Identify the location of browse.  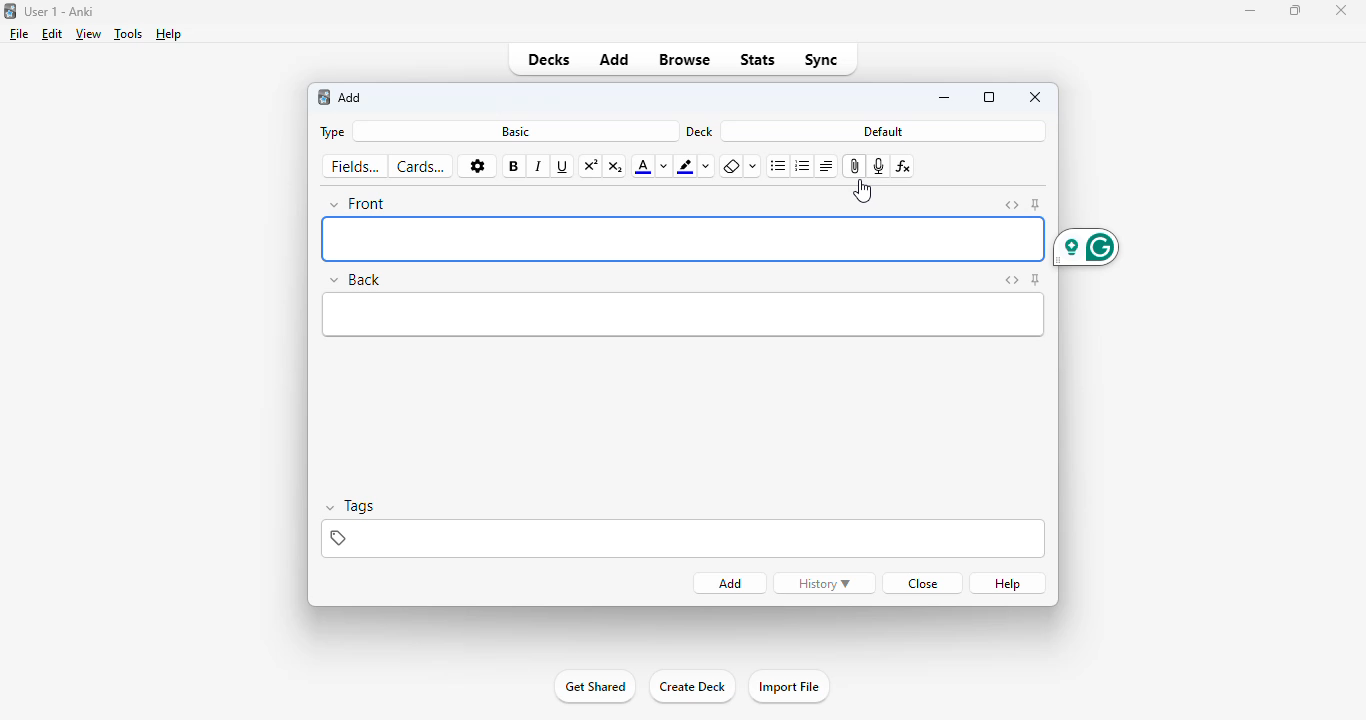
(683, 60).